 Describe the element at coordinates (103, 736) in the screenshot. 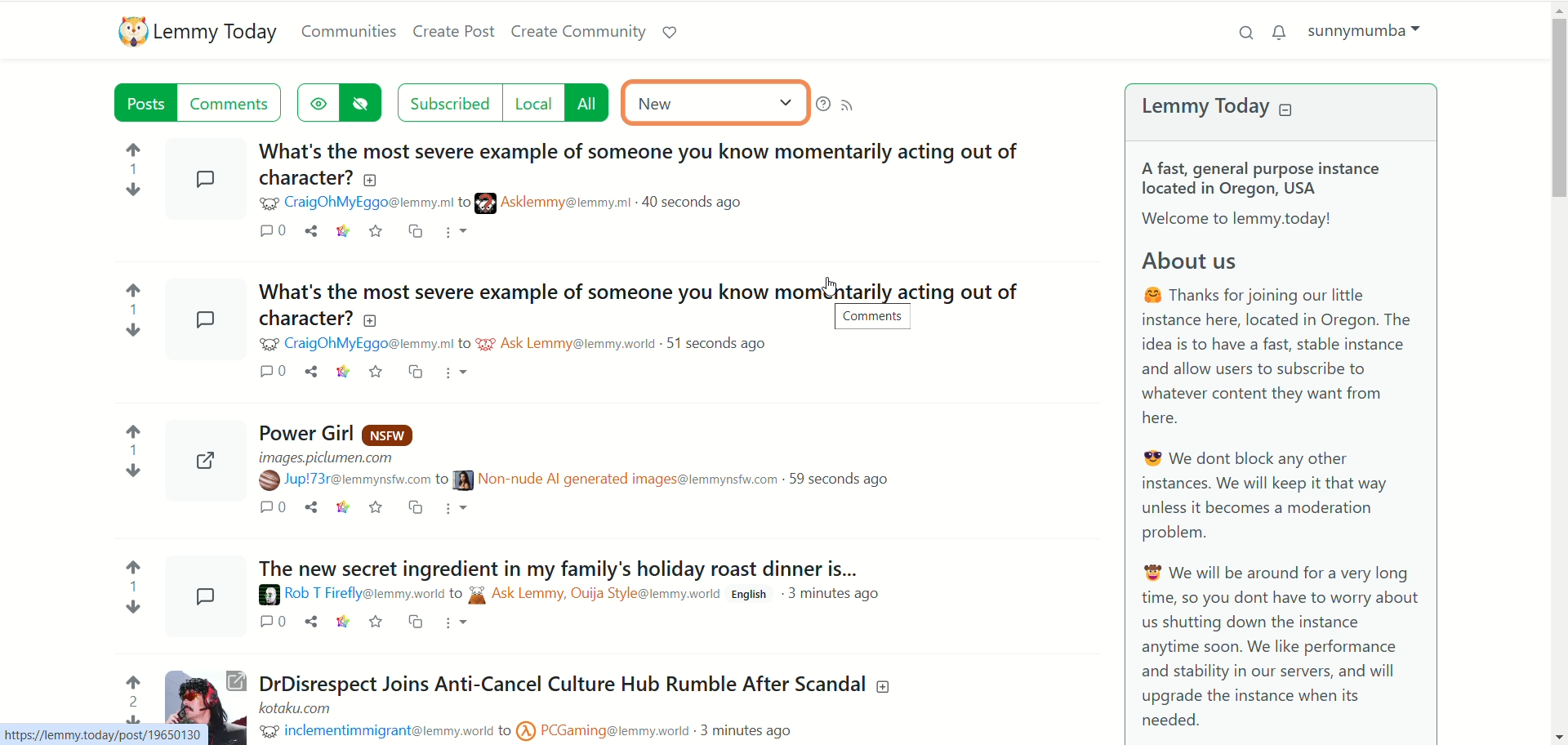

I see `link` at that location.